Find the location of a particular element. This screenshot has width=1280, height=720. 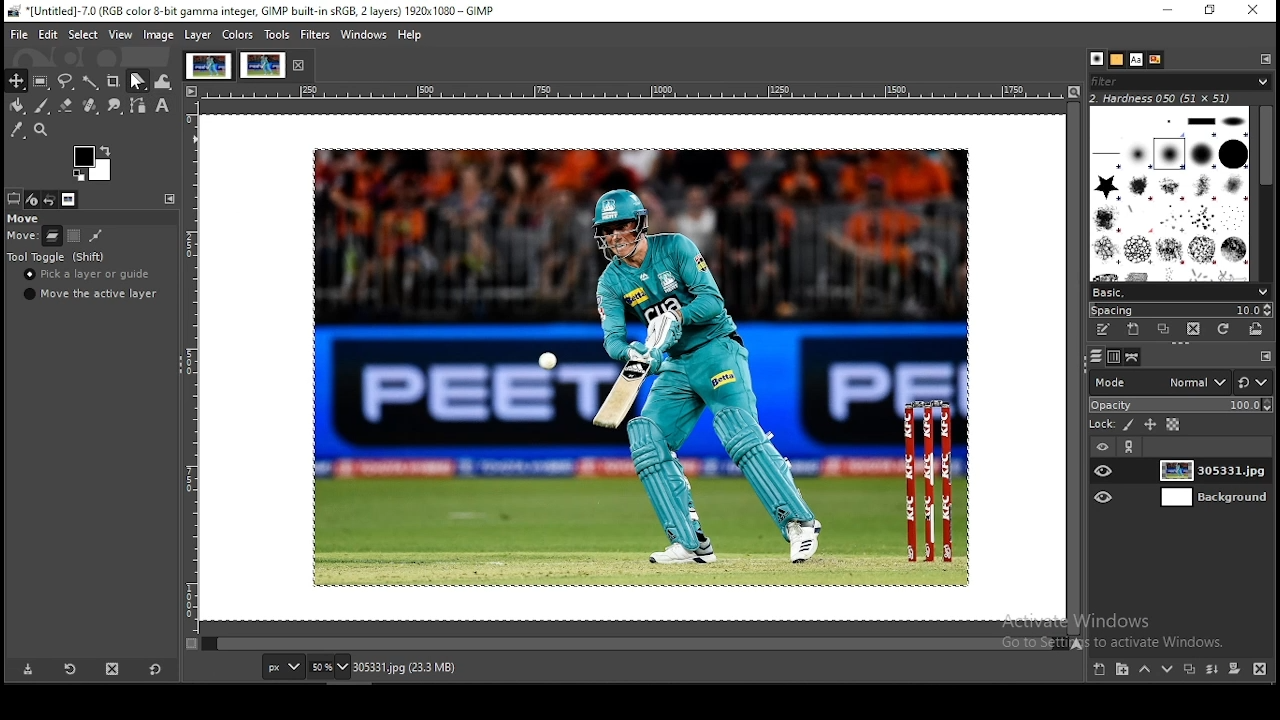

305331.jpg (23.3 mb) is located at coordinates (406, 668).